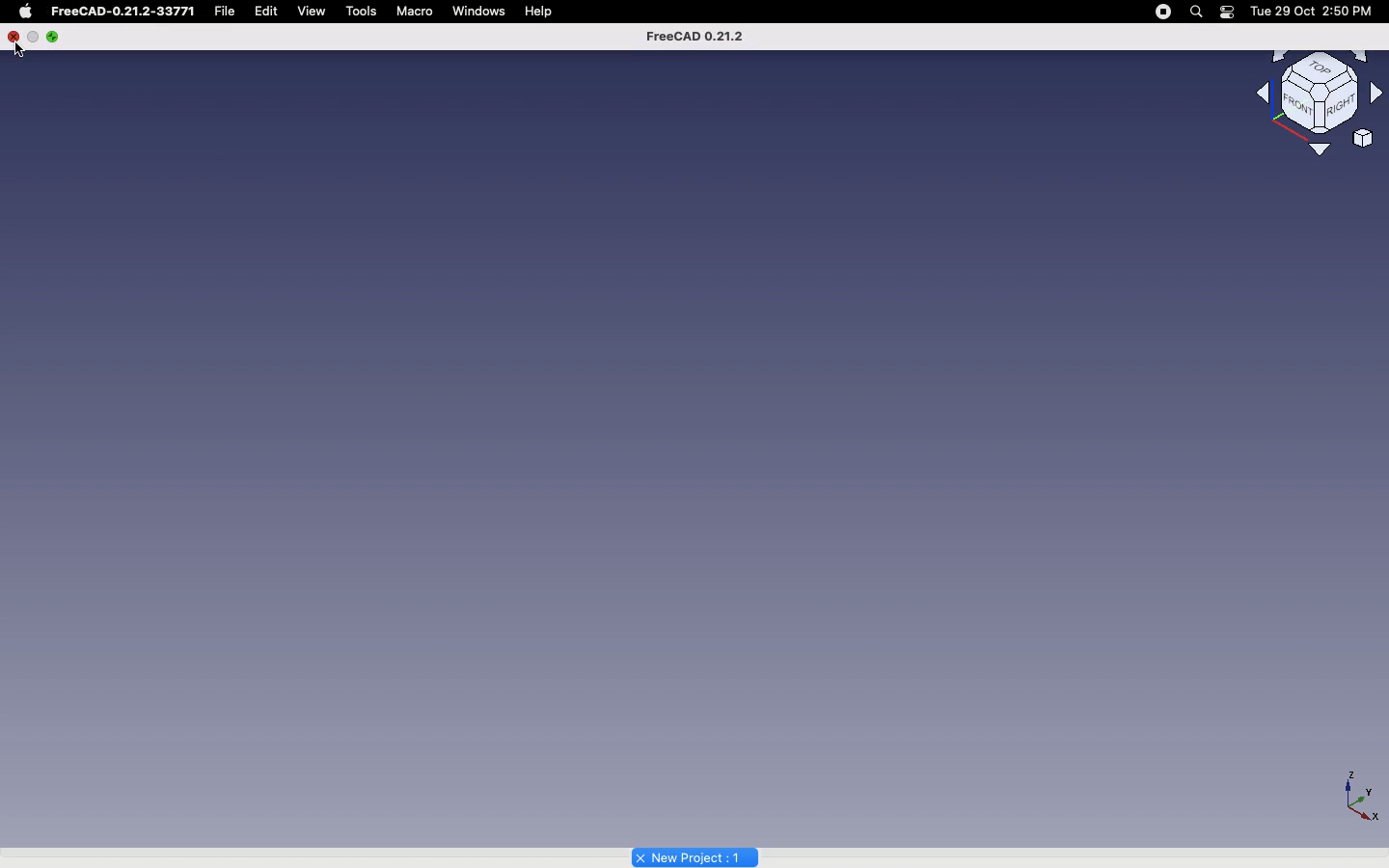  What do you see at coordinates (55, 38) in the screenshot?
I see `Minimize` at bounding box center [55, 38].